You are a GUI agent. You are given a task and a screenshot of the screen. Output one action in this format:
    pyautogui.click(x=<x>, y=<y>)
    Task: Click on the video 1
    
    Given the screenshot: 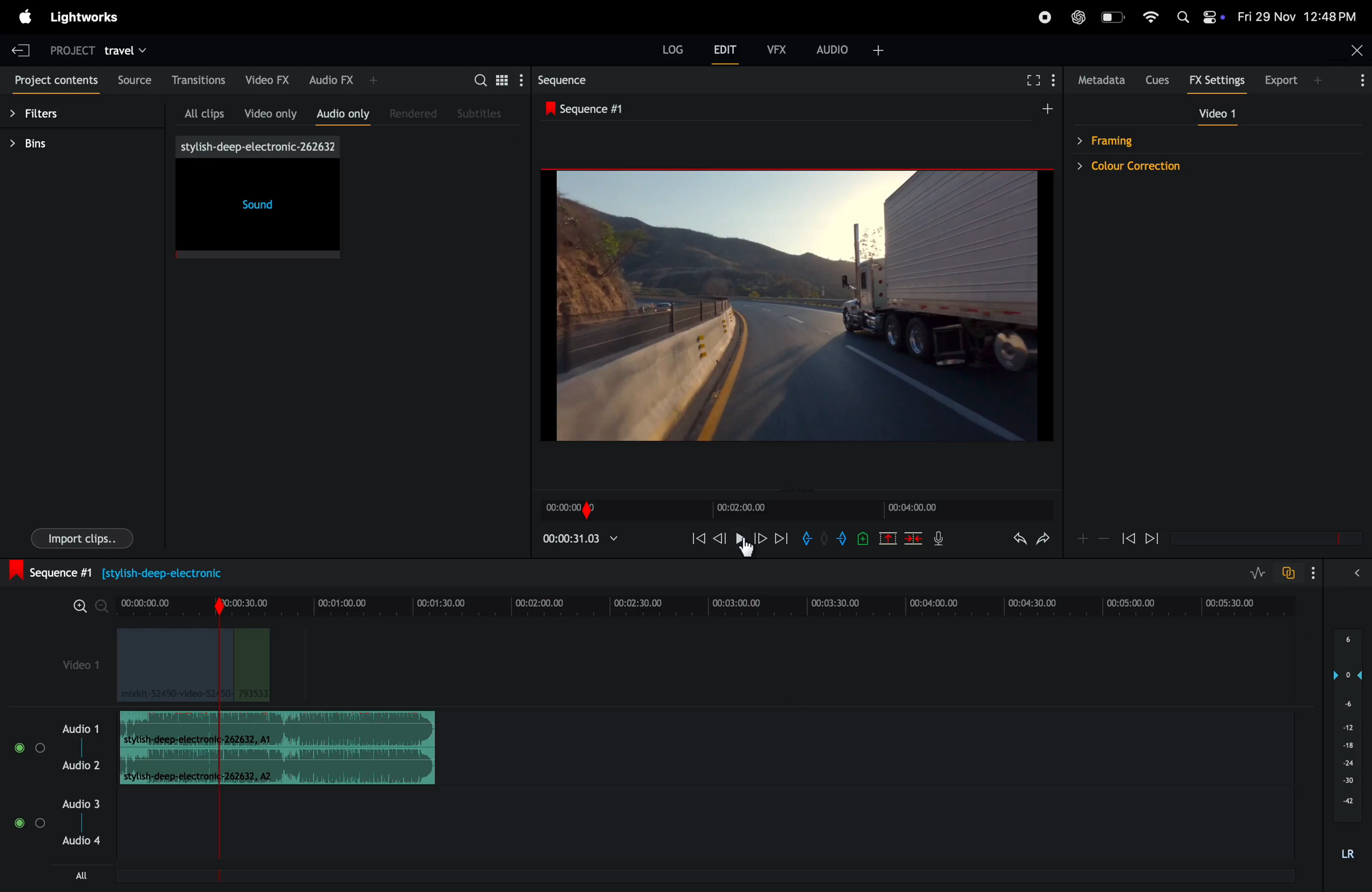 What is the action you would take?
    pyautogui.click(x=1222, y=115)
    